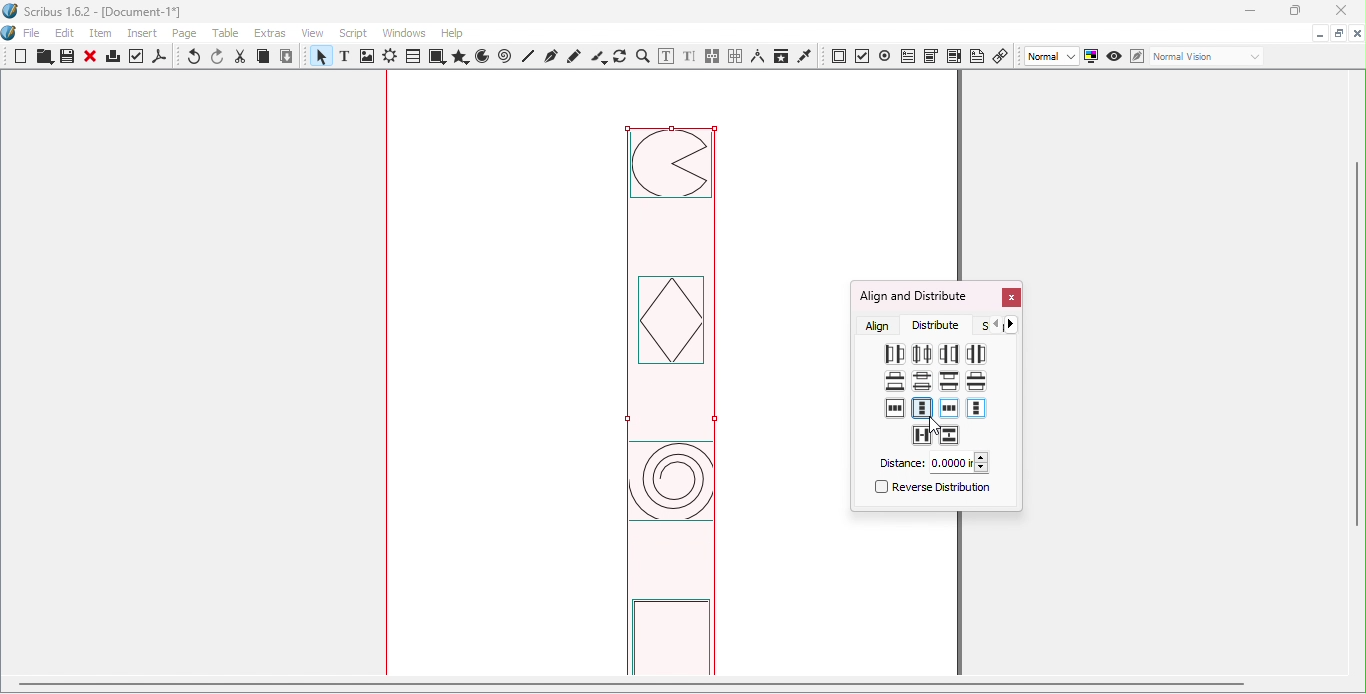 Image resolution: width=1366 pixels, height=694 pixels. What do you see at coordinates (101, 13) in the screenshot?
I see `Scribus 1.6.2 - [Document-1*]` at bounding box center [101, 13].